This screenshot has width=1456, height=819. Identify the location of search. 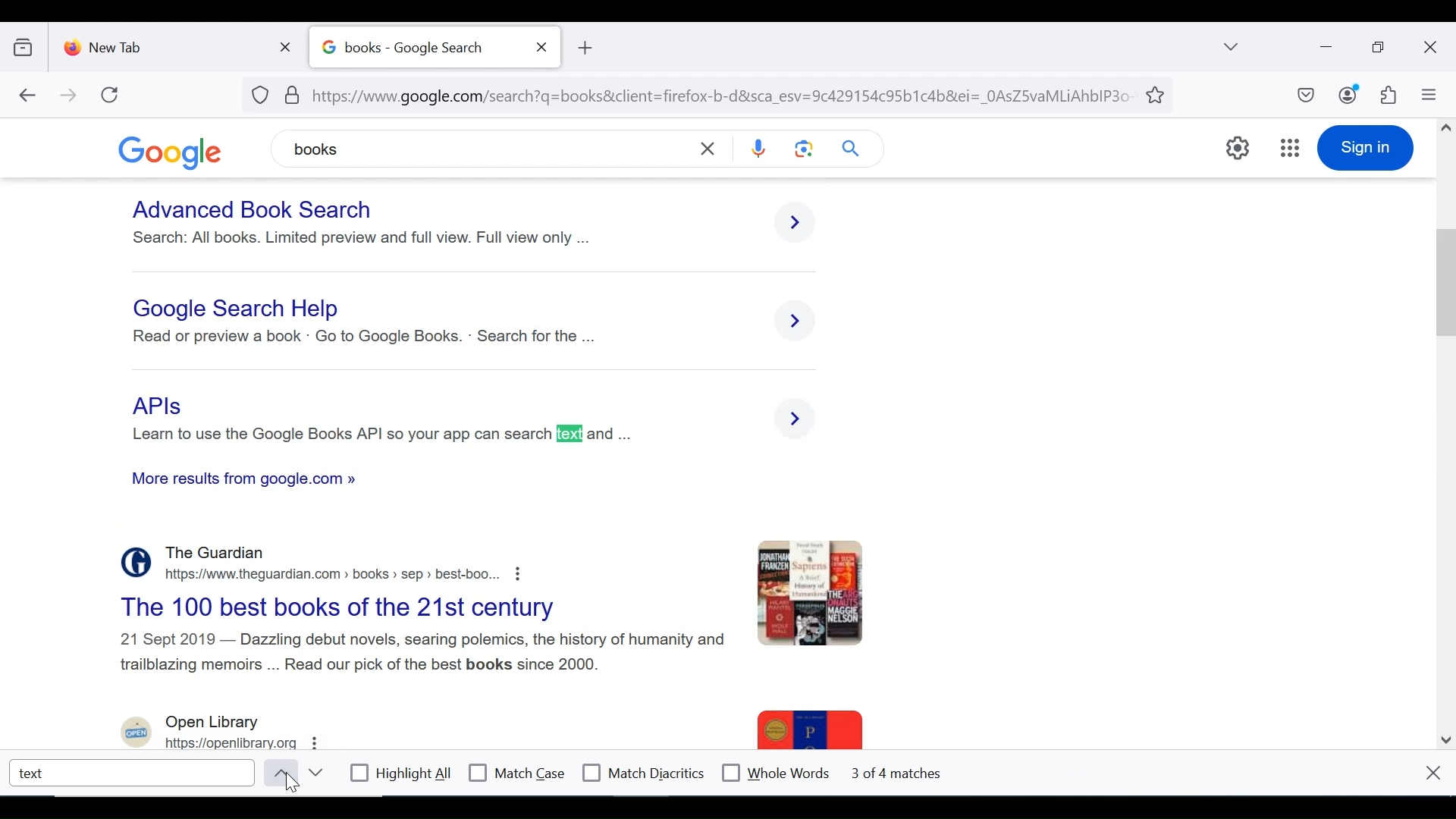
(853, 148).